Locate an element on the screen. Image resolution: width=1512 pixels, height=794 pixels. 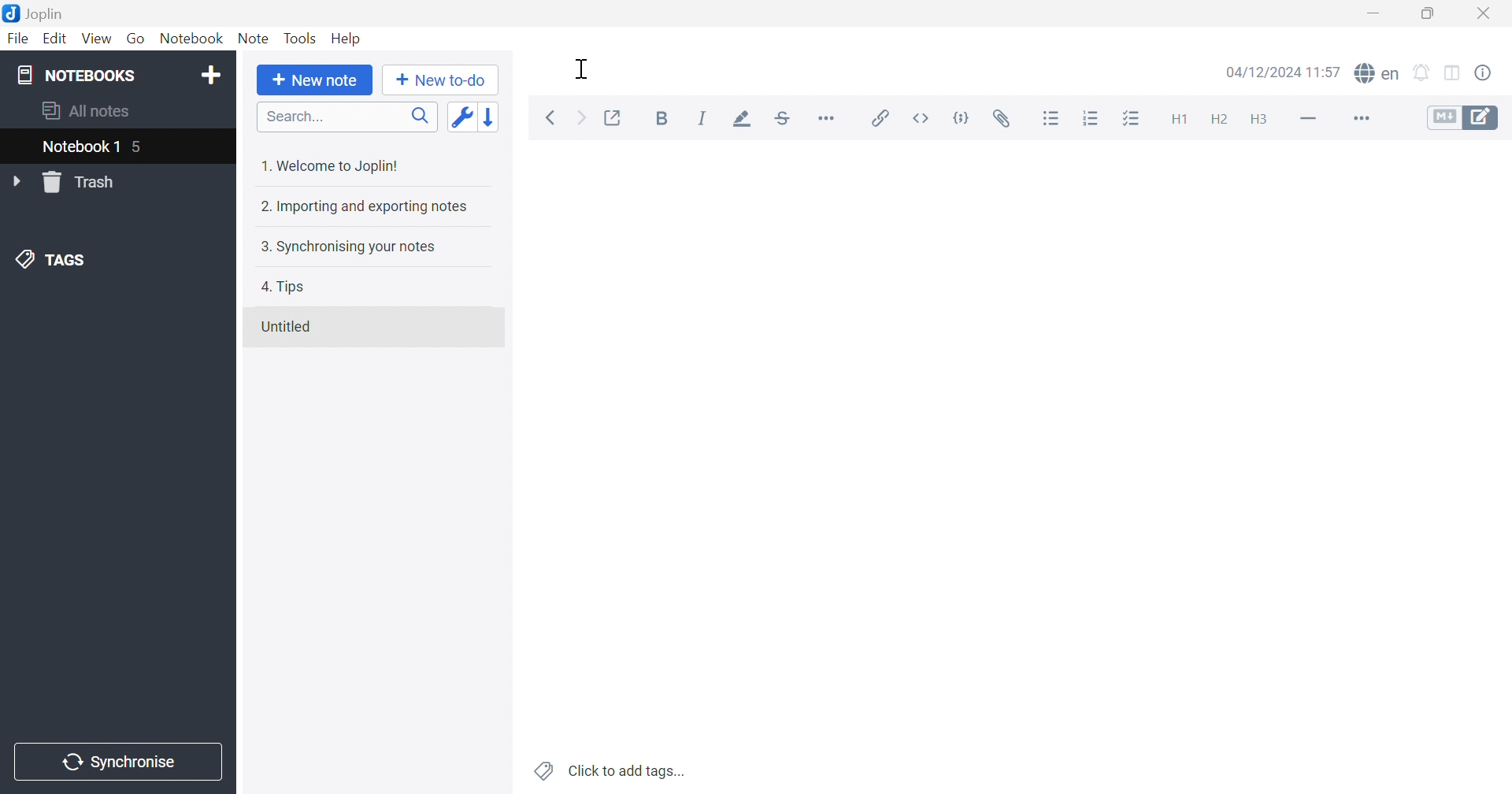
View is located at coordinates (95, 39).